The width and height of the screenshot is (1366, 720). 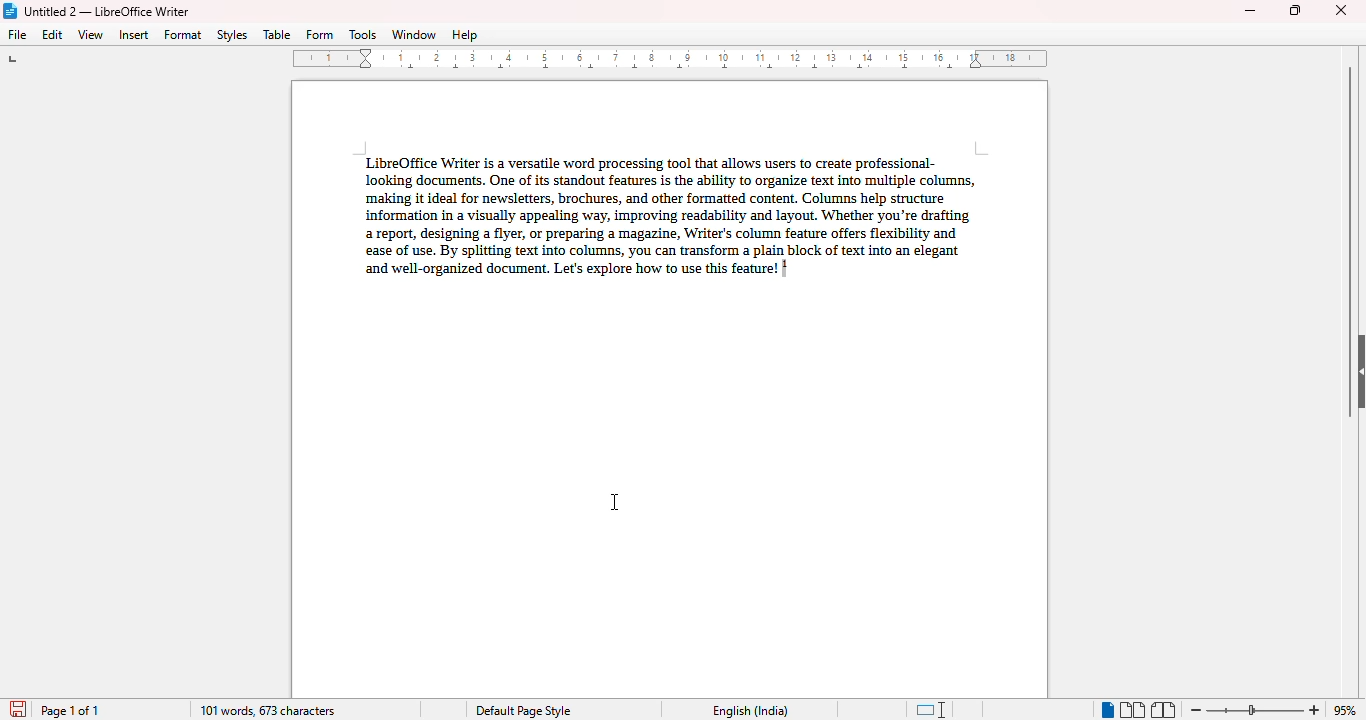 I want to click on 101 words, 673 characters, so click(x=265, y=709).